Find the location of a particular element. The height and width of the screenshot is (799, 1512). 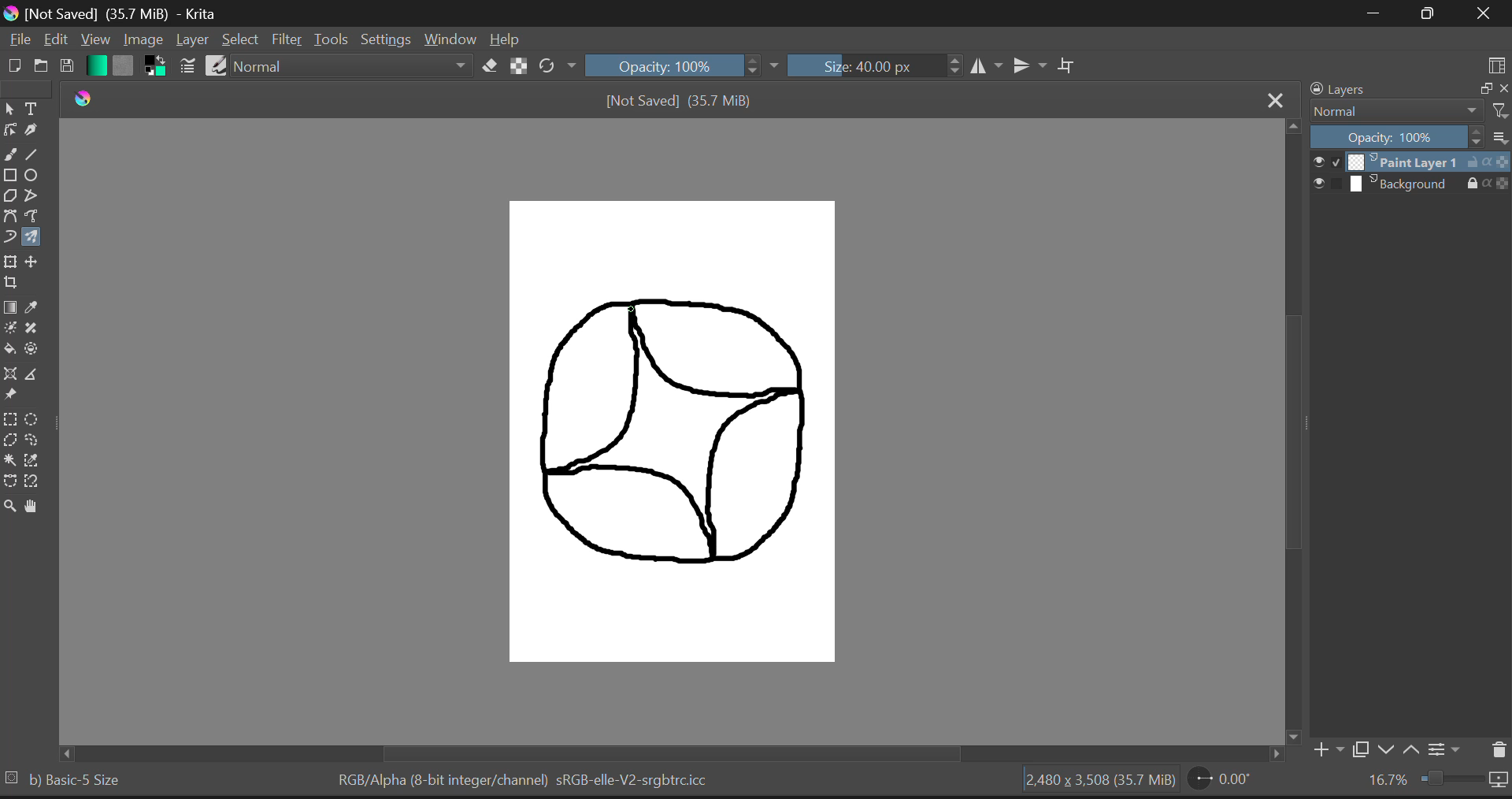

Normal is located at coordinates (1393, 111).